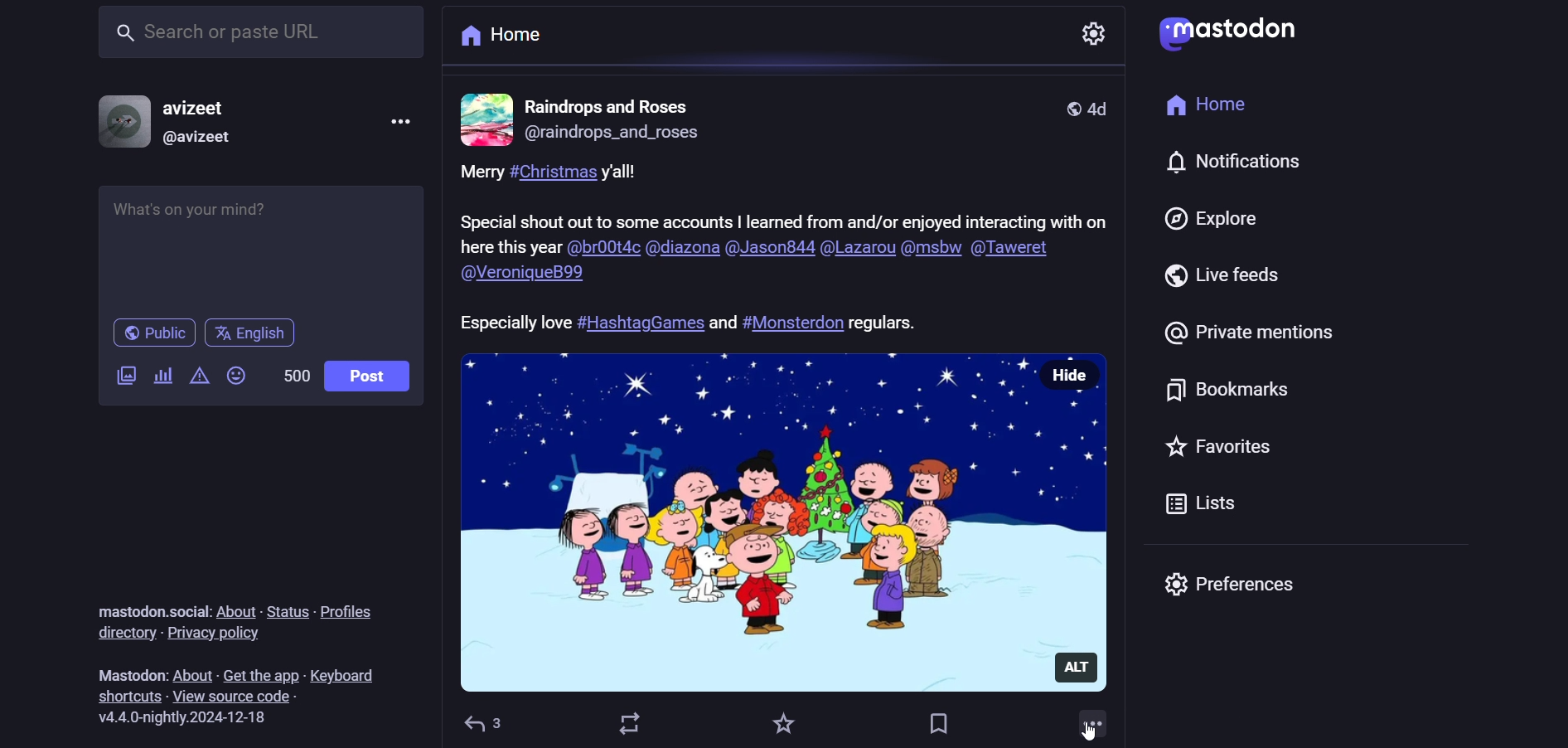 The width and height of the screenshot is (1568, 748). I want to click on text, so click(118, 668).